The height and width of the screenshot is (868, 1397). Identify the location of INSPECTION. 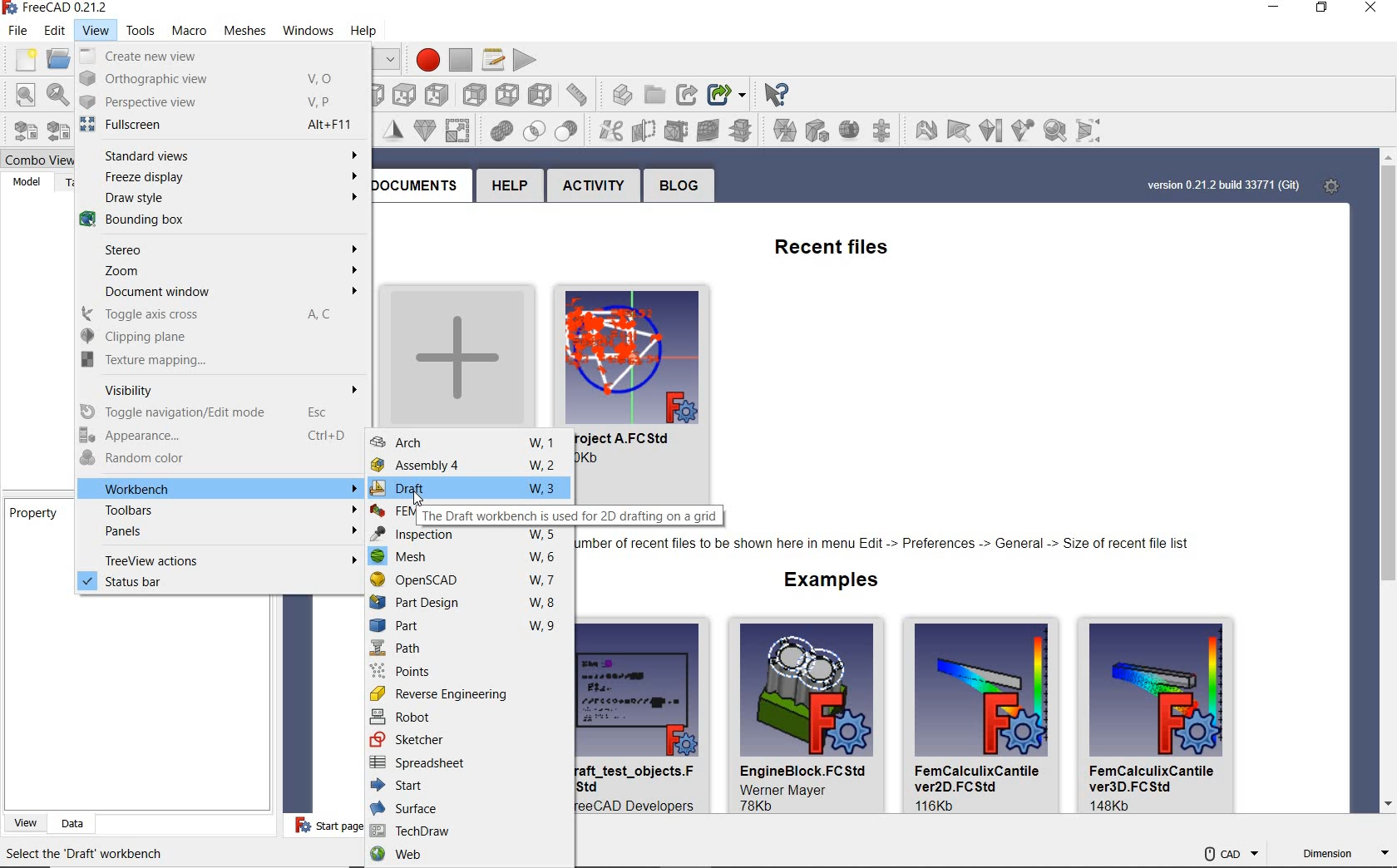
(469, 535).